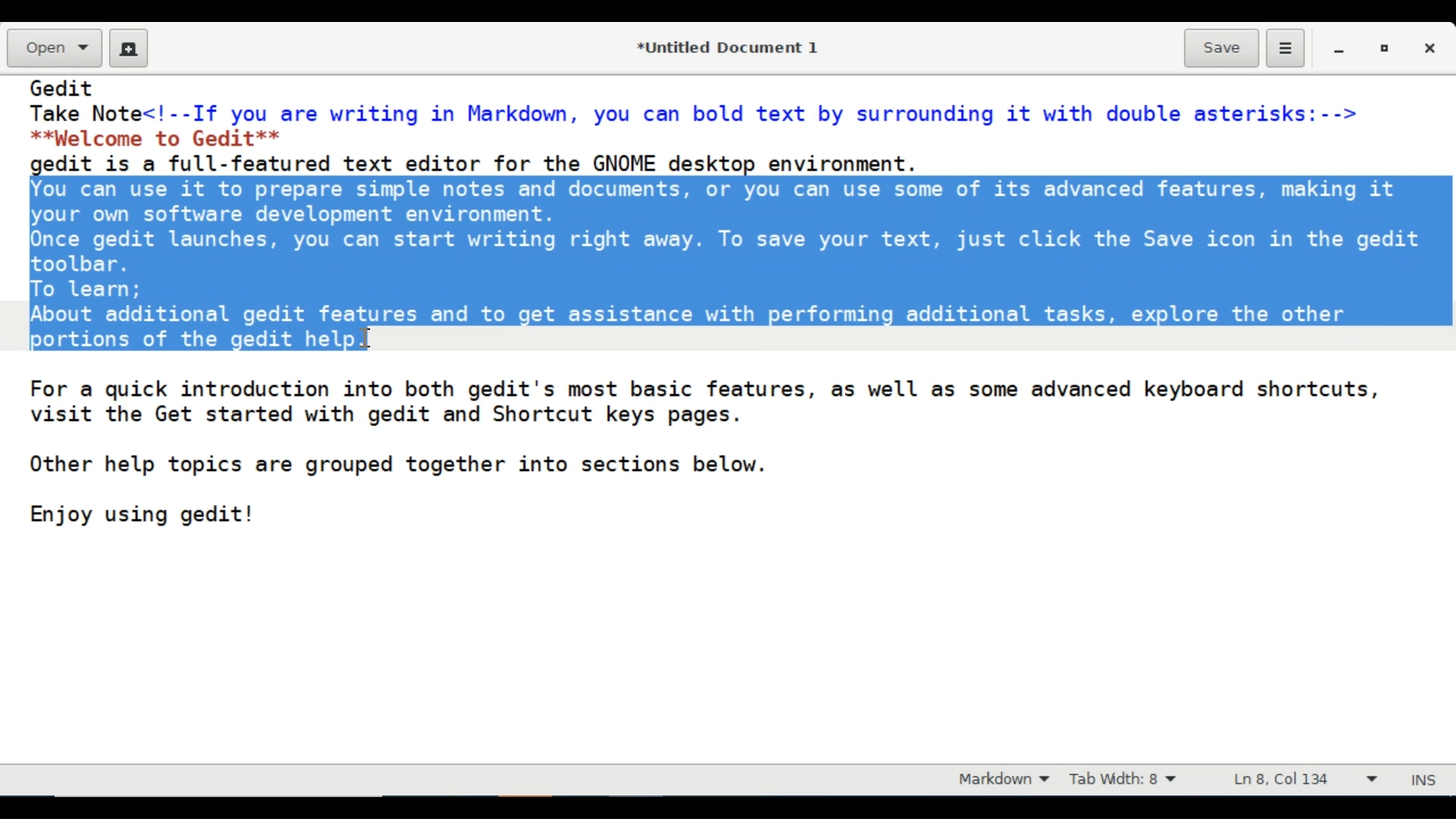 This screenshot has height=819, width=1456. I want to click on minimize, so click(1341, 48).